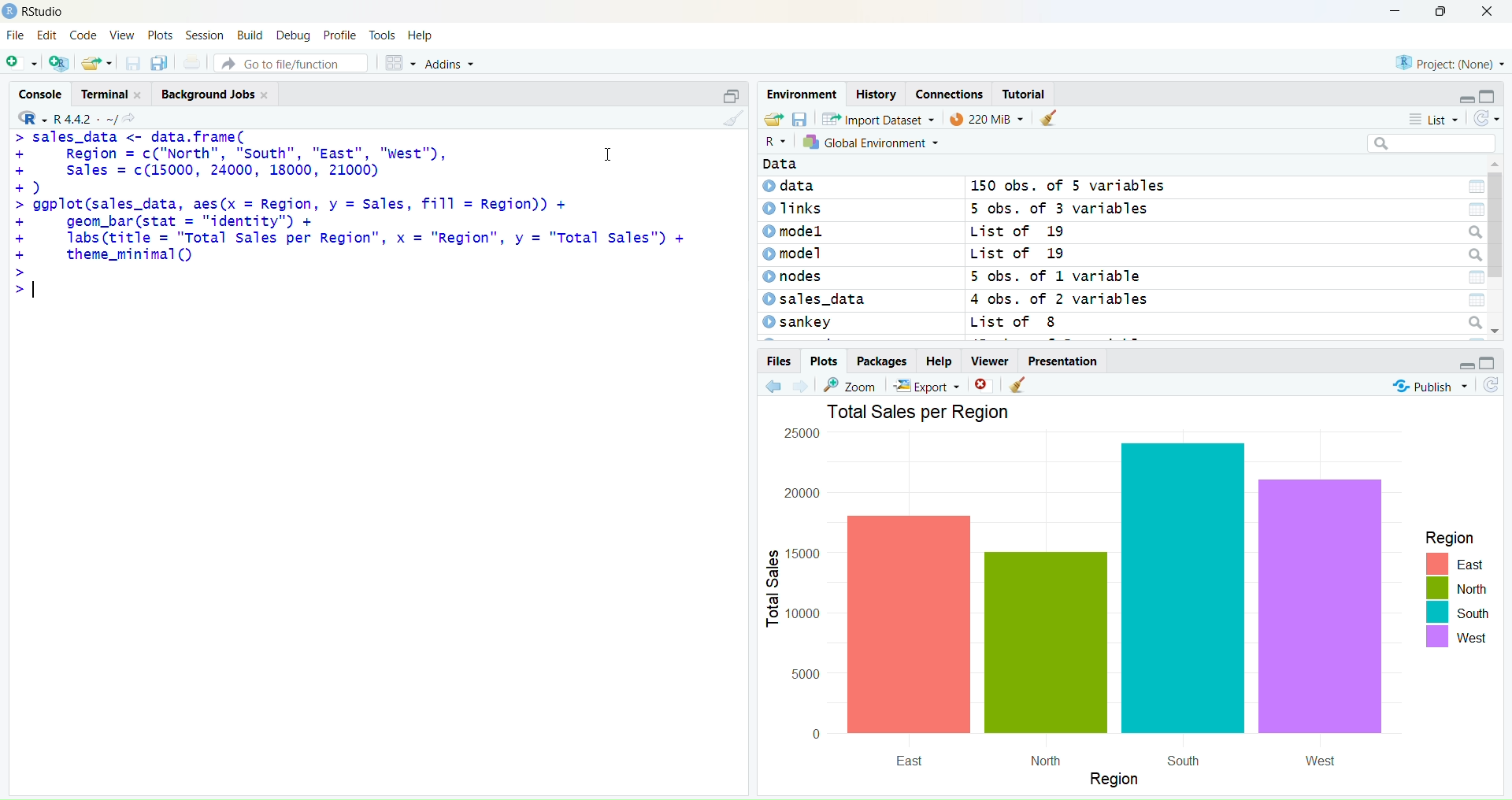  Describe the element at coordinates (96, 64) in the screenshot. I see `save and export` at that location.